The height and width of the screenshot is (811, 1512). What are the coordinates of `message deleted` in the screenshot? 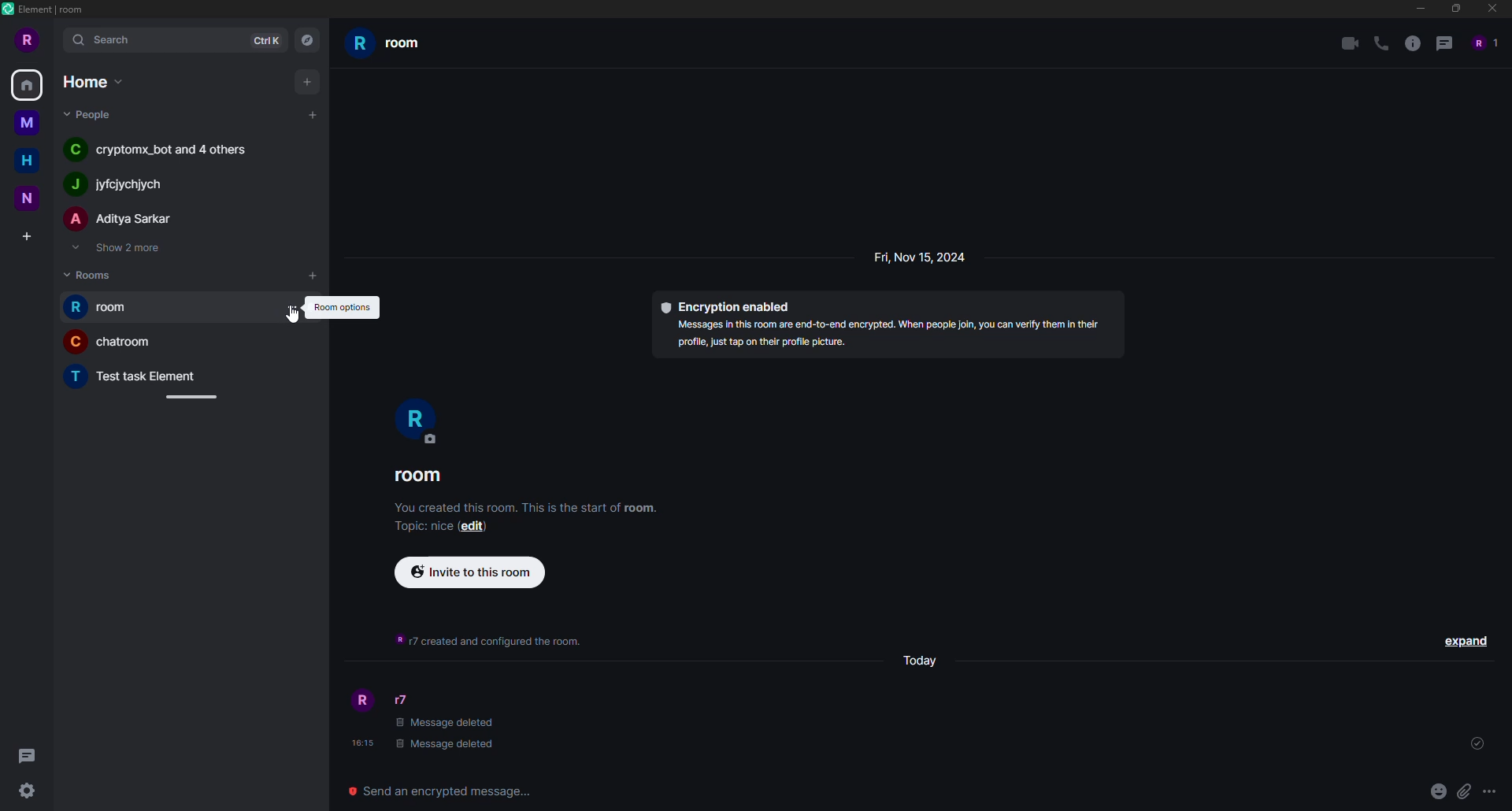 It's located at (448, 724).